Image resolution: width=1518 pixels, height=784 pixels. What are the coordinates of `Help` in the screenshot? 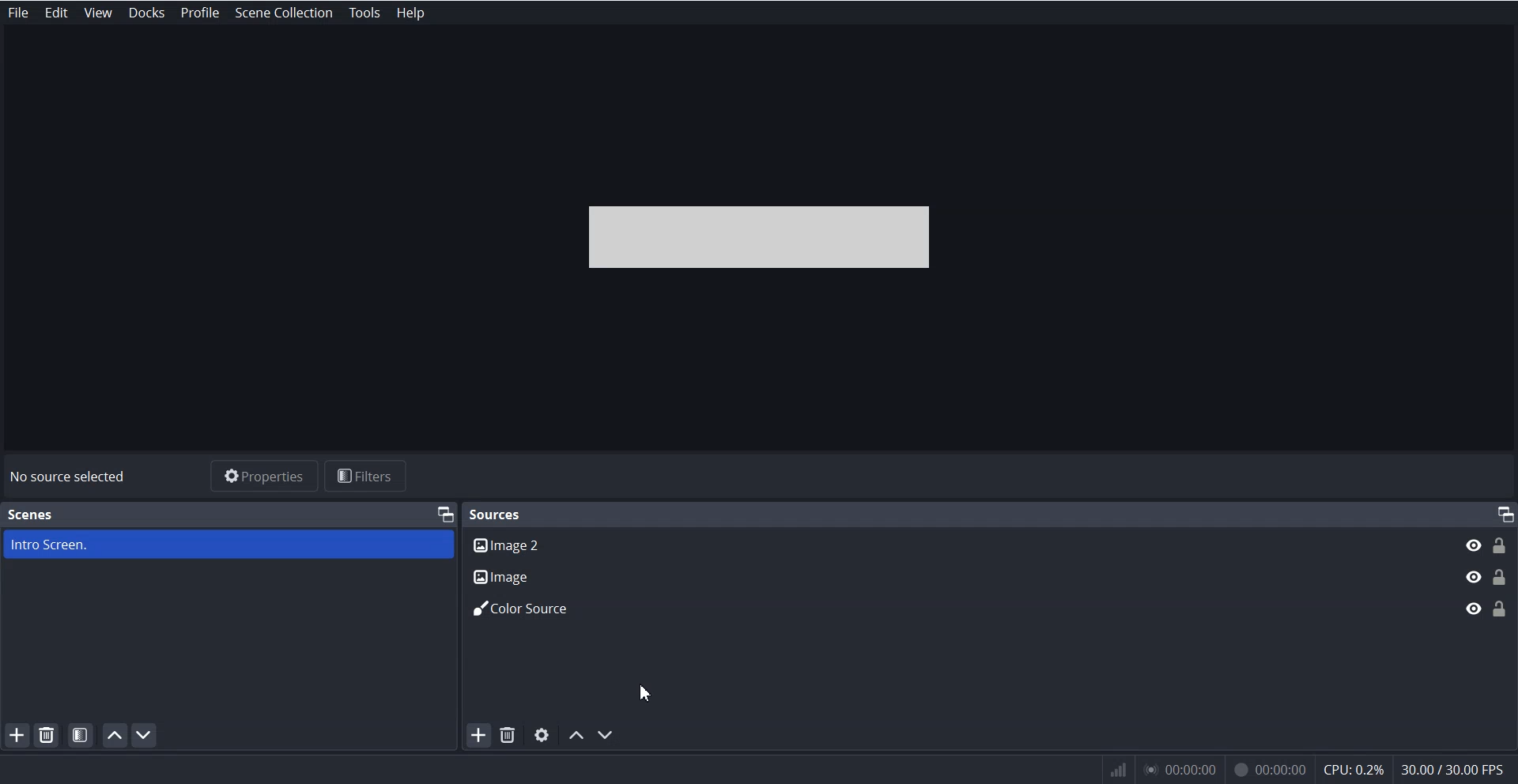 It's located at (408, 13).